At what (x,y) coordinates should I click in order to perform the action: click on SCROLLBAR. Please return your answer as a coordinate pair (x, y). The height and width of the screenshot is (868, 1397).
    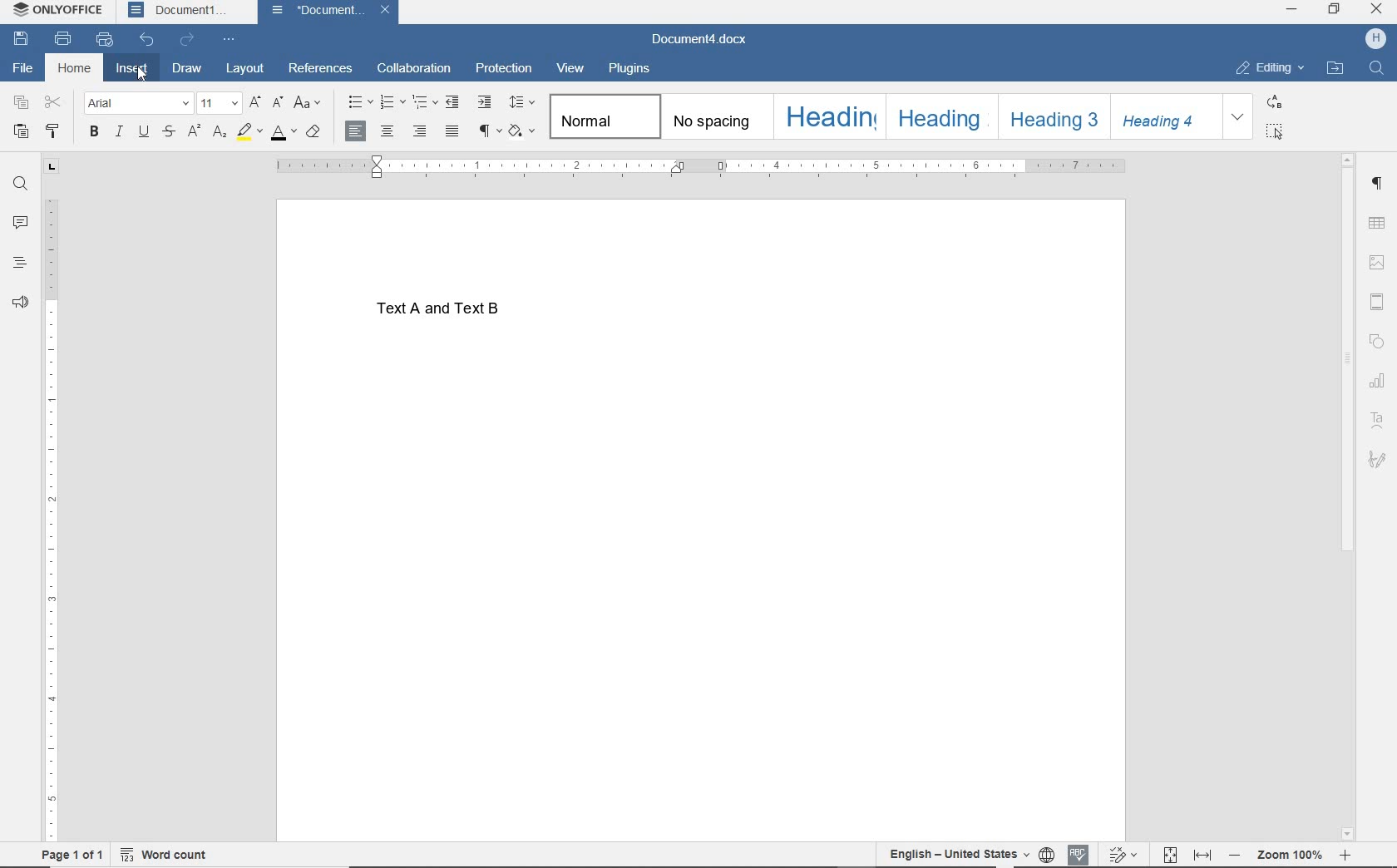
    Looking at the image, I should click on (1345, 495).